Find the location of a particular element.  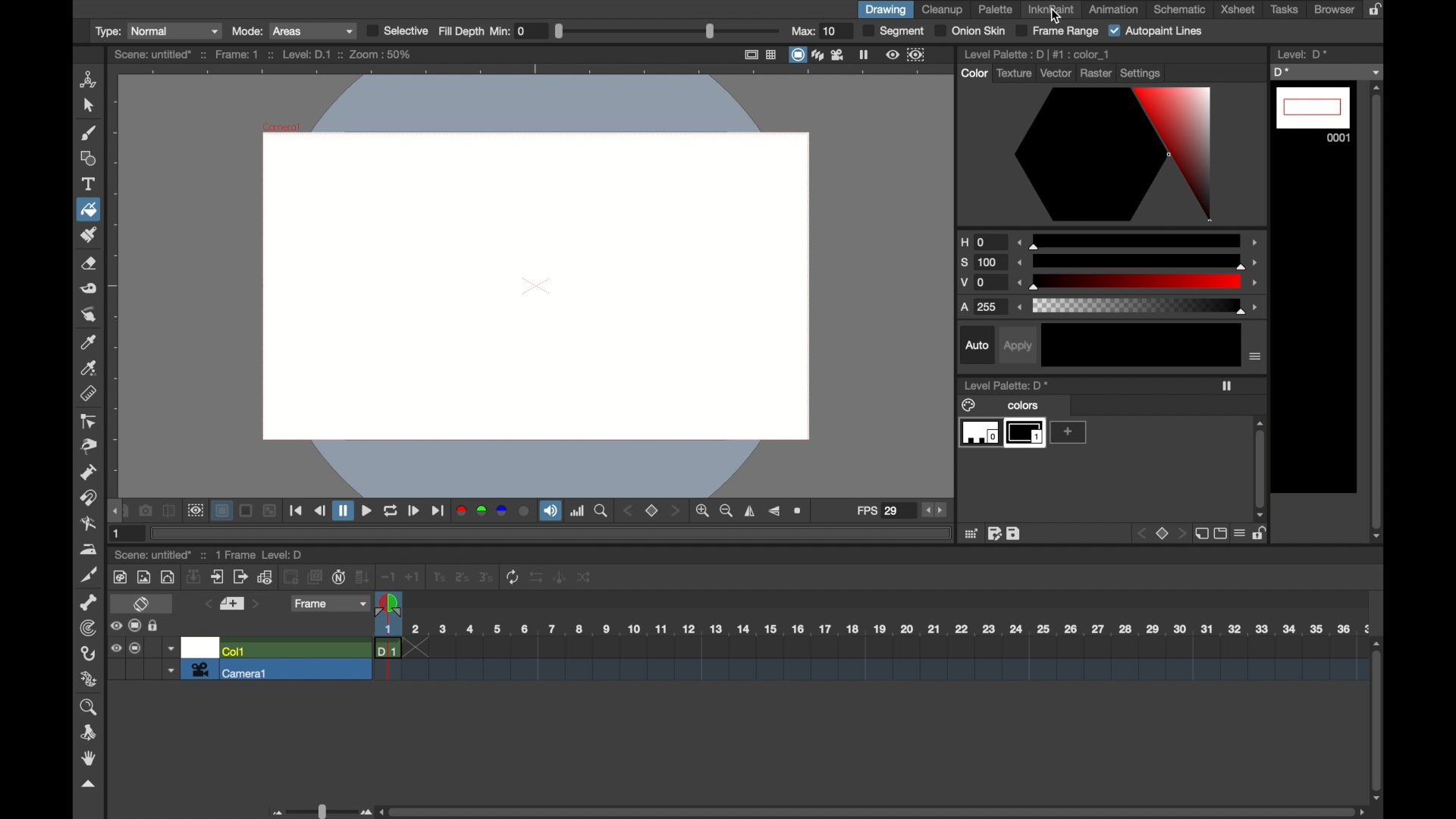

unlock is located at coordinates (1263, 535).